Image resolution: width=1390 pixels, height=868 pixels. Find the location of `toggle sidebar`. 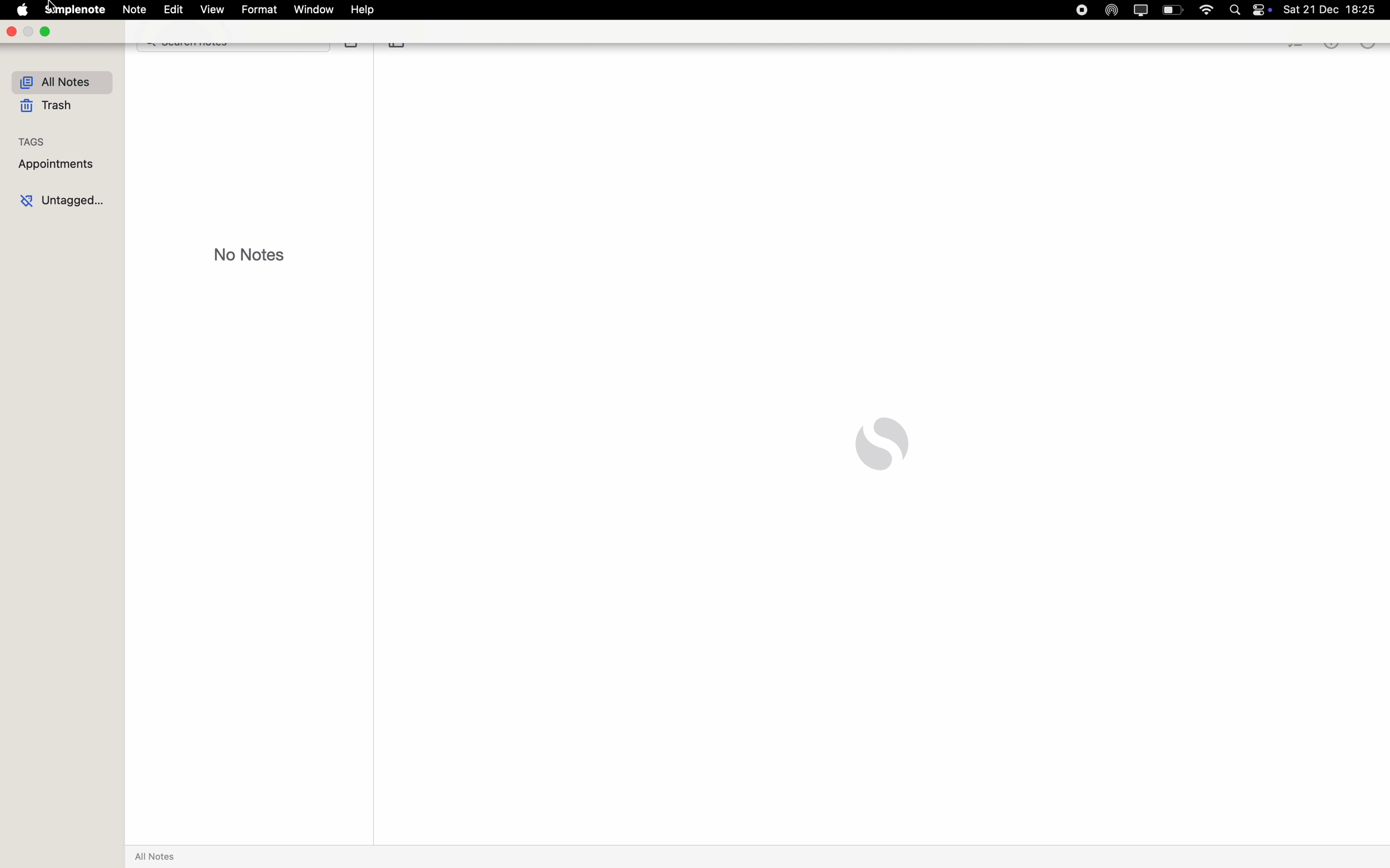

toggle sidebar is located at coordinates (400, 49).